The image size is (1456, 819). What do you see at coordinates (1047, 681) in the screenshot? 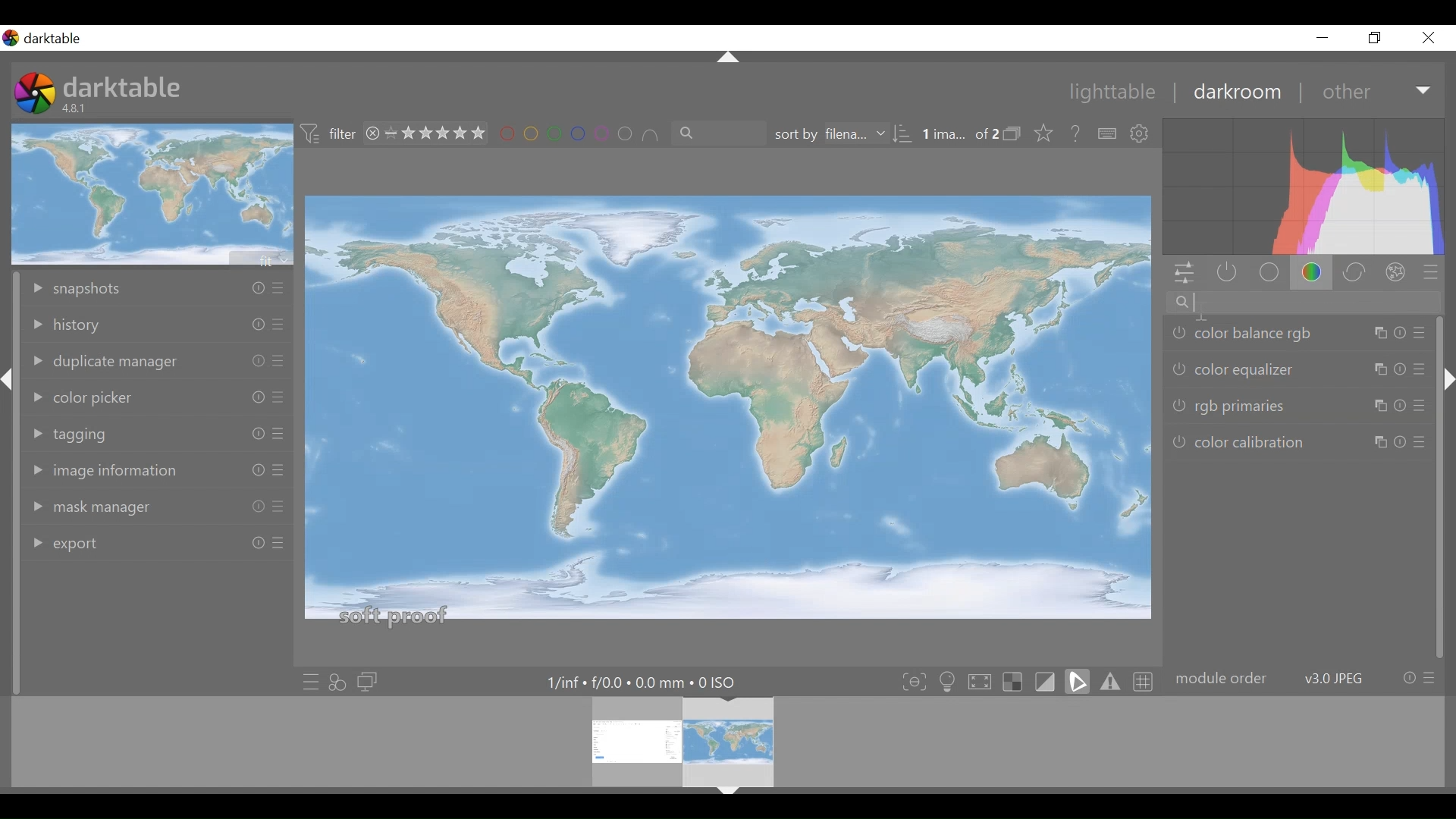
I see `toggle clipping indication` at bounding box center [1047, 681].